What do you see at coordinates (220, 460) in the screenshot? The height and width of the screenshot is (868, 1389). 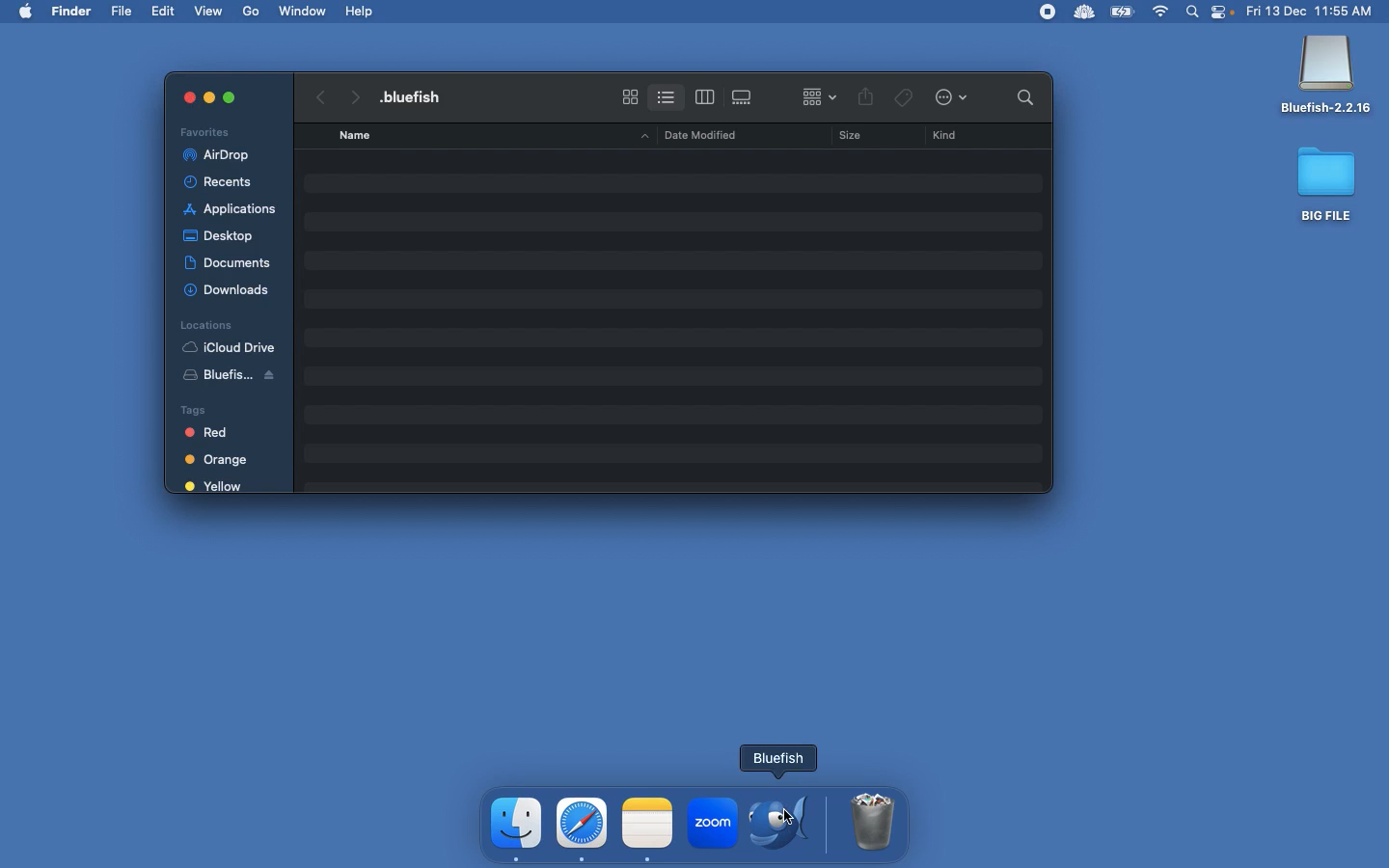 I see `orange` at bounding box center [220, 460].